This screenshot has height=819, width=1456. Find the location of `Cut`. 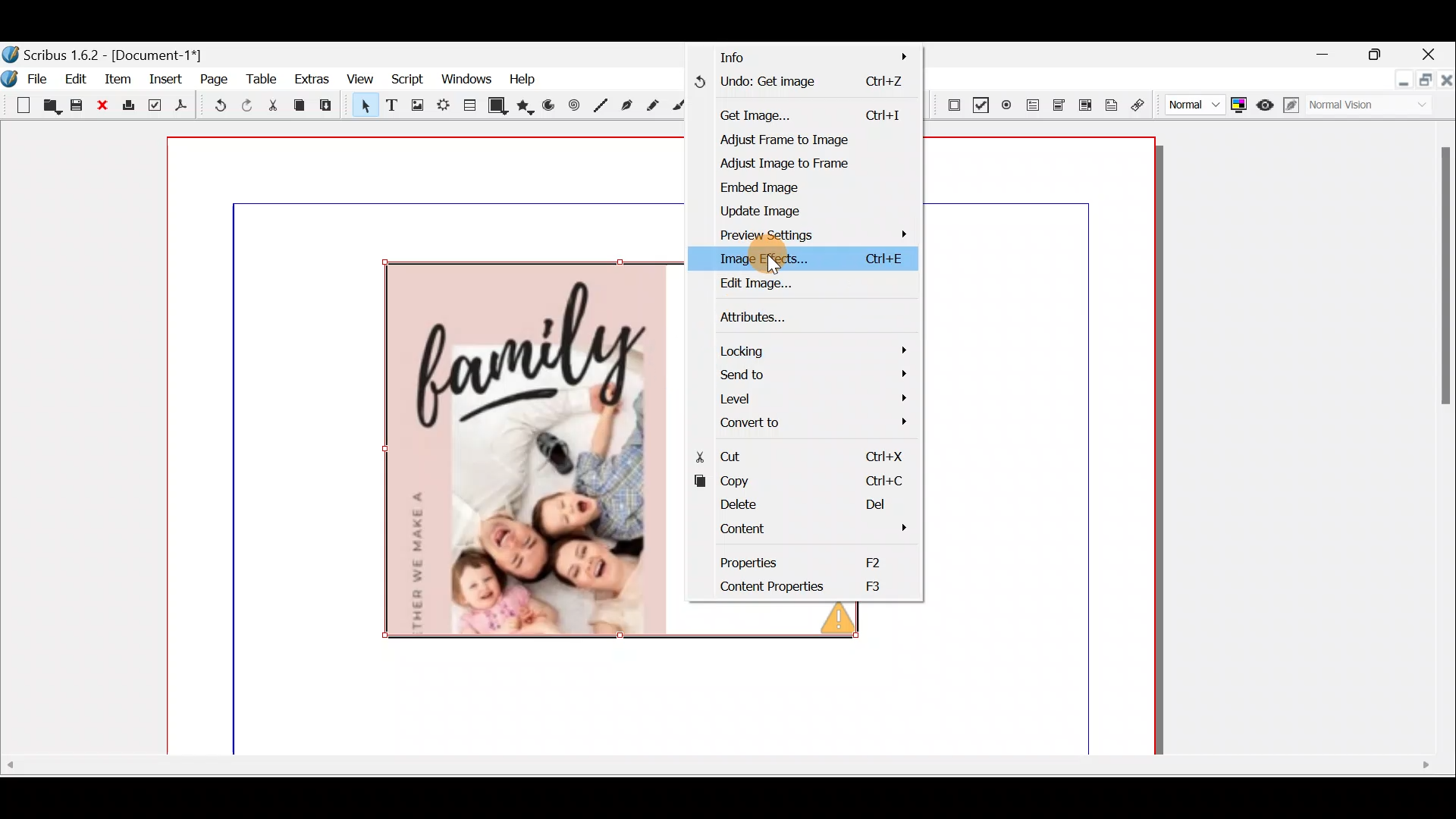

Cut is located at coordinates (802, 458).